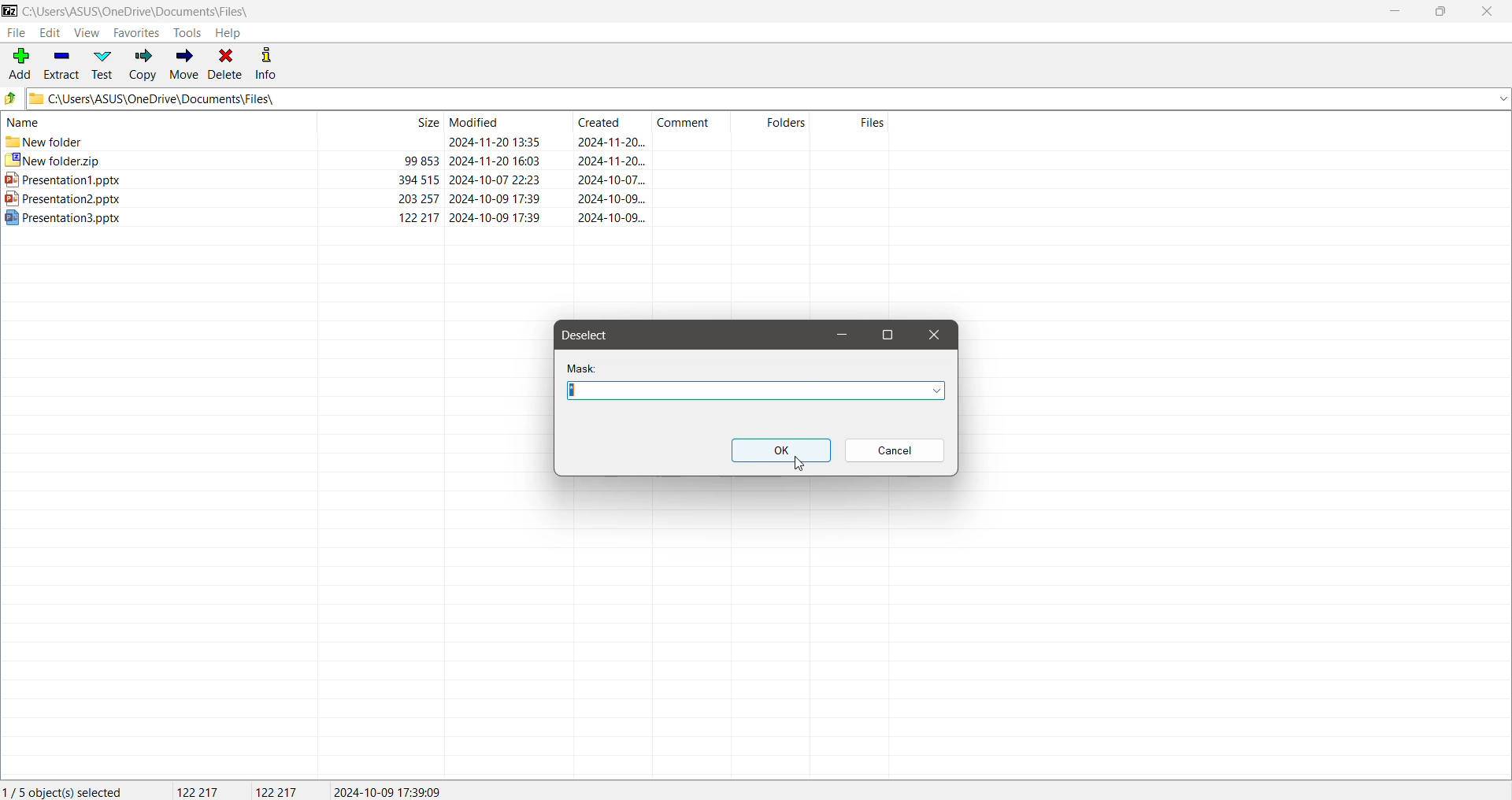 The image size is (1512, 800). Describe the element at coordinates (587, 367) in the screenshot. I see `Mask` at that location.